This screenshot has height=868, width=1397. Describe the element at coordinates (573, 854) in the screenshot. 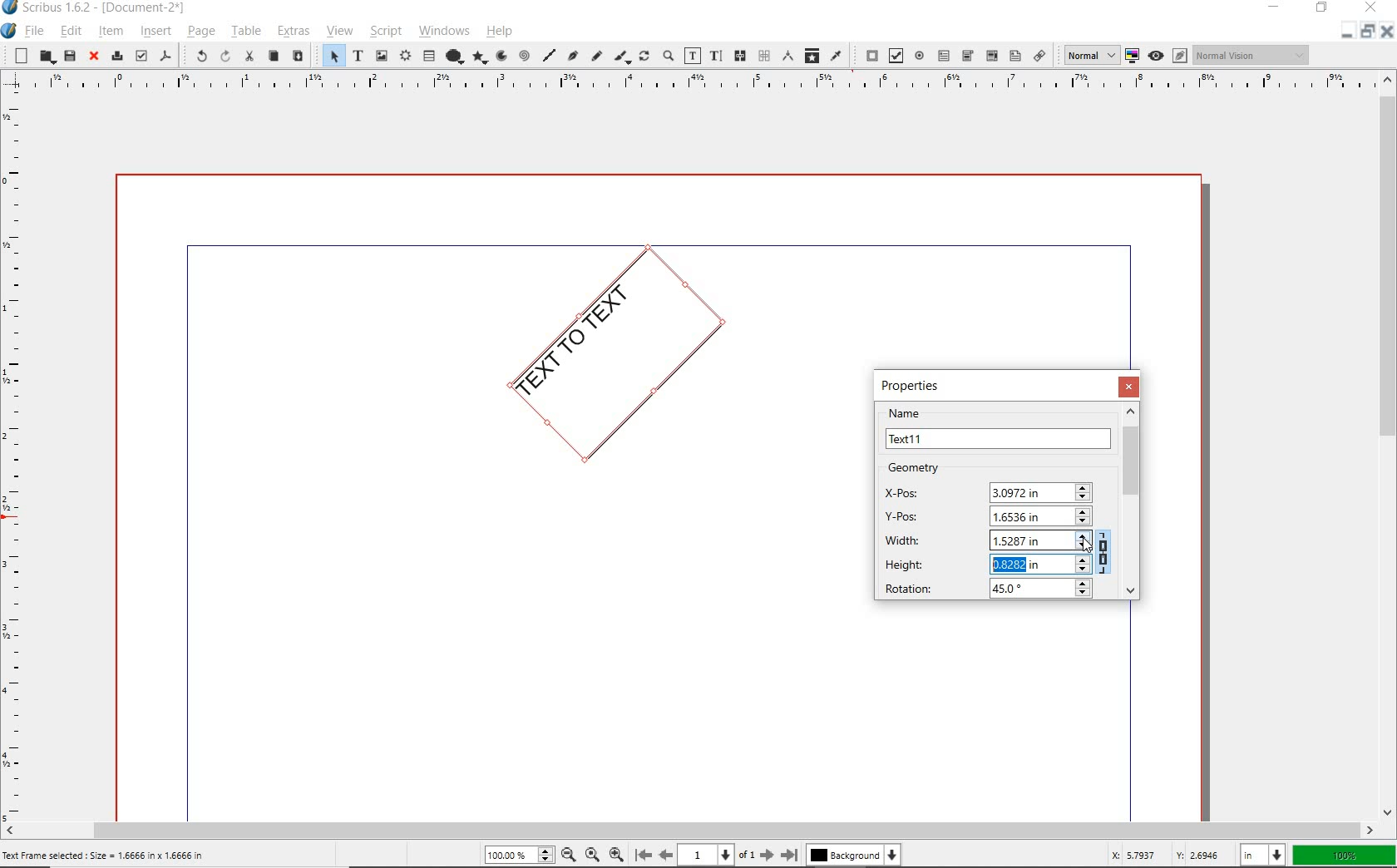

I see `zoom out` at that location.